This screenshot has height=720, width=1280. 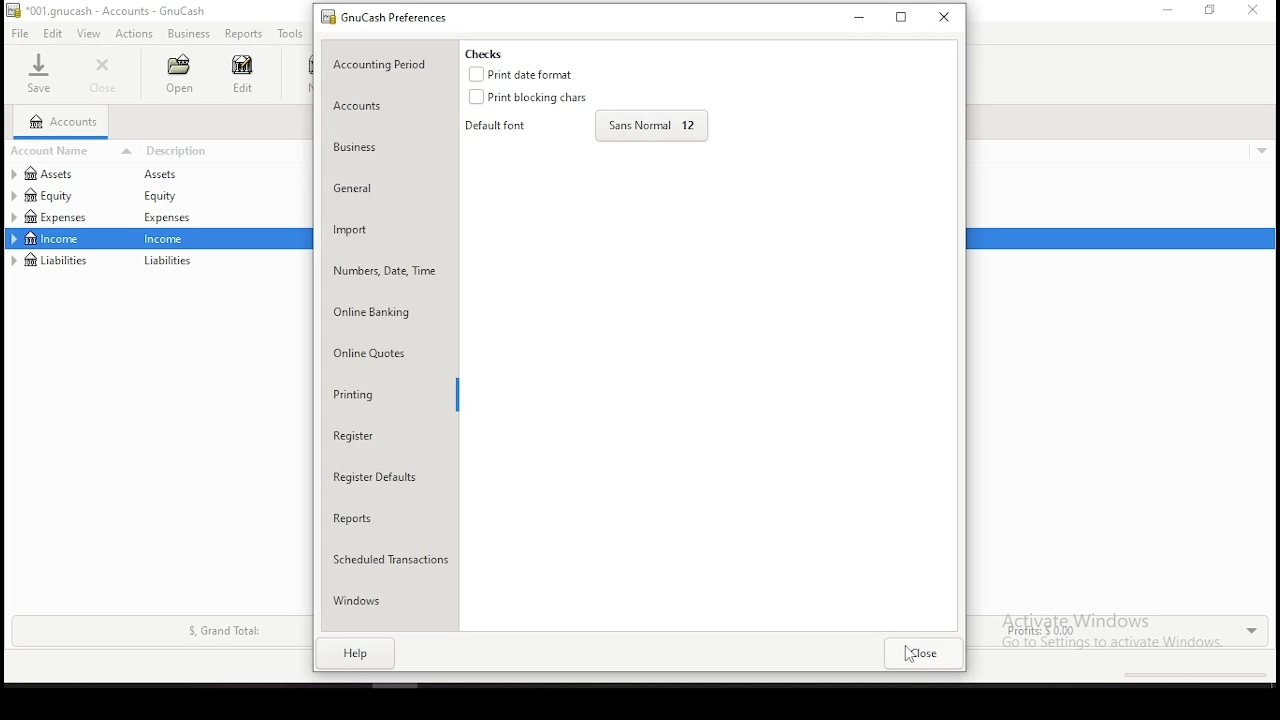 What do you see at coordinates (74, 150) in the screenshot?
I see `account name` at bounding box center [74, 150].